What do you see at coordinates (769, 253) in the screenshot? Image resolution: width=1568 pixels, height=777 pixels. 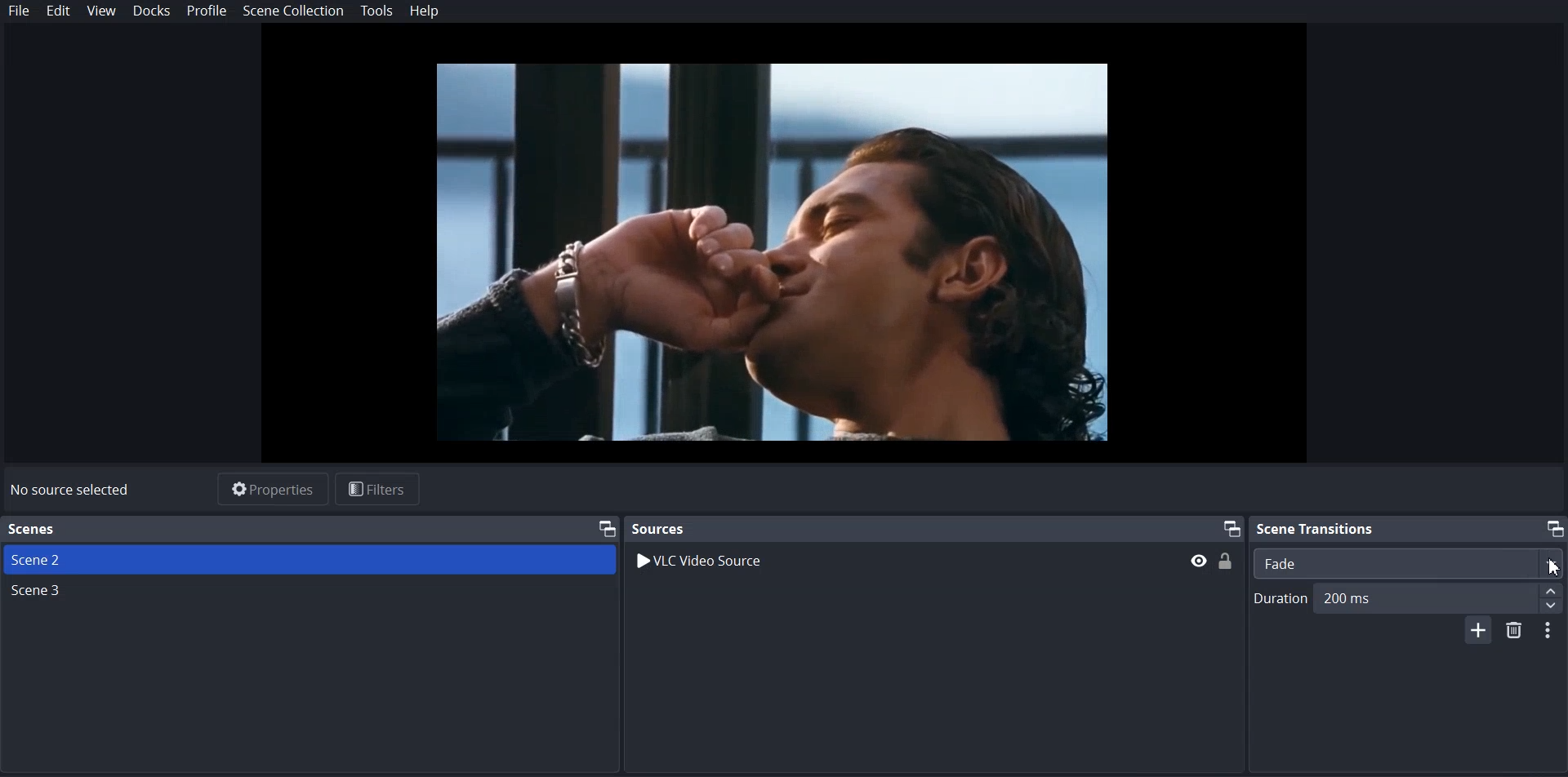 I see `File Preview Window` at bounding box center [769, 253].